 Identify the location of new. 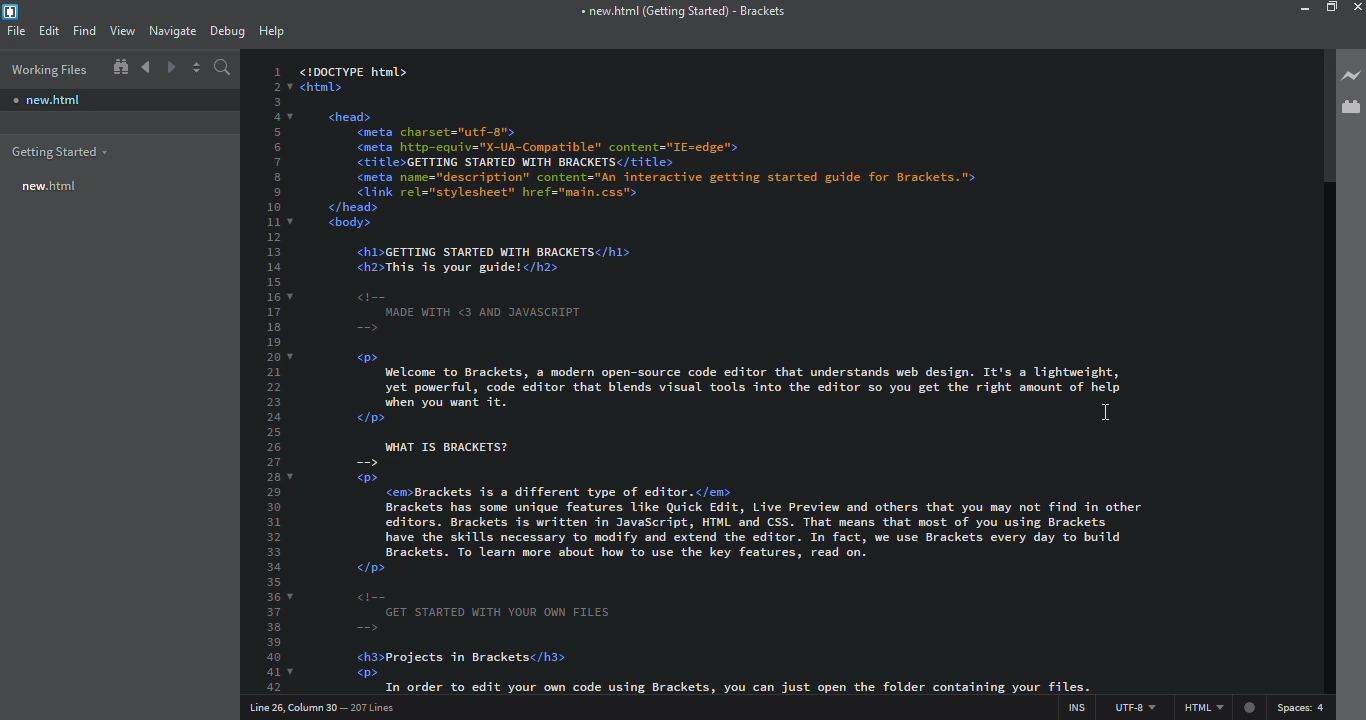
(51, 185).